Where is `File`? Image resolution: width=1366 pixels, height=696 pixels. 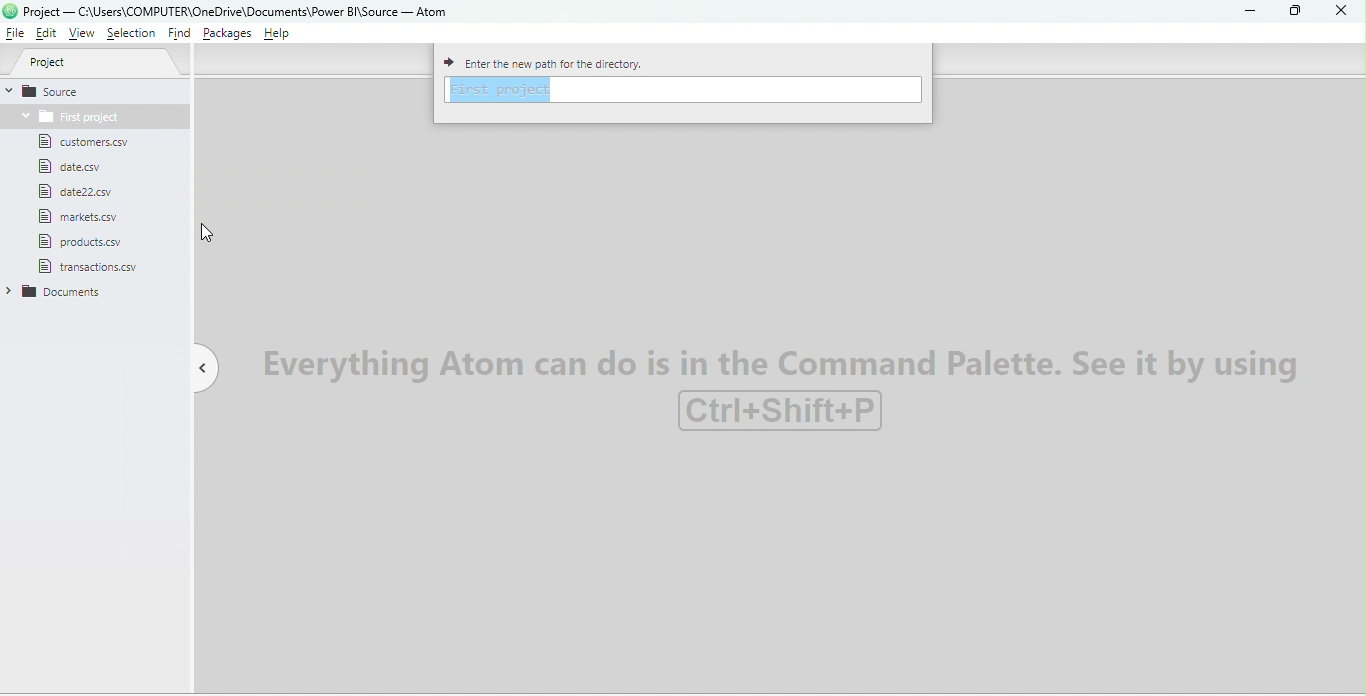
File is located at coordinates (89, 240).